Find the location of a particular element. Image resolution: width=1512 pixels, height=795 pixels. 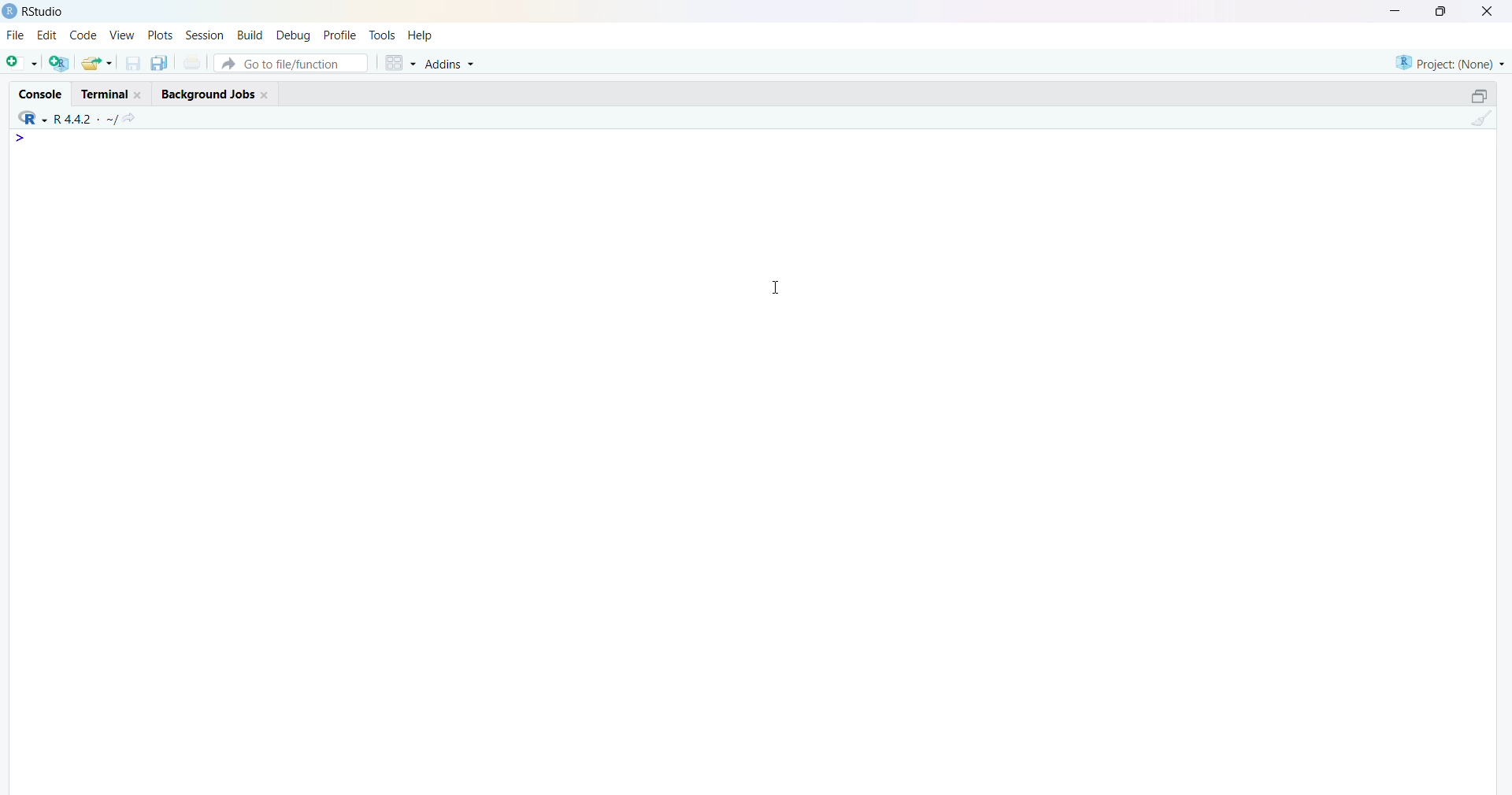

close is located at coordinates (1490, 11).